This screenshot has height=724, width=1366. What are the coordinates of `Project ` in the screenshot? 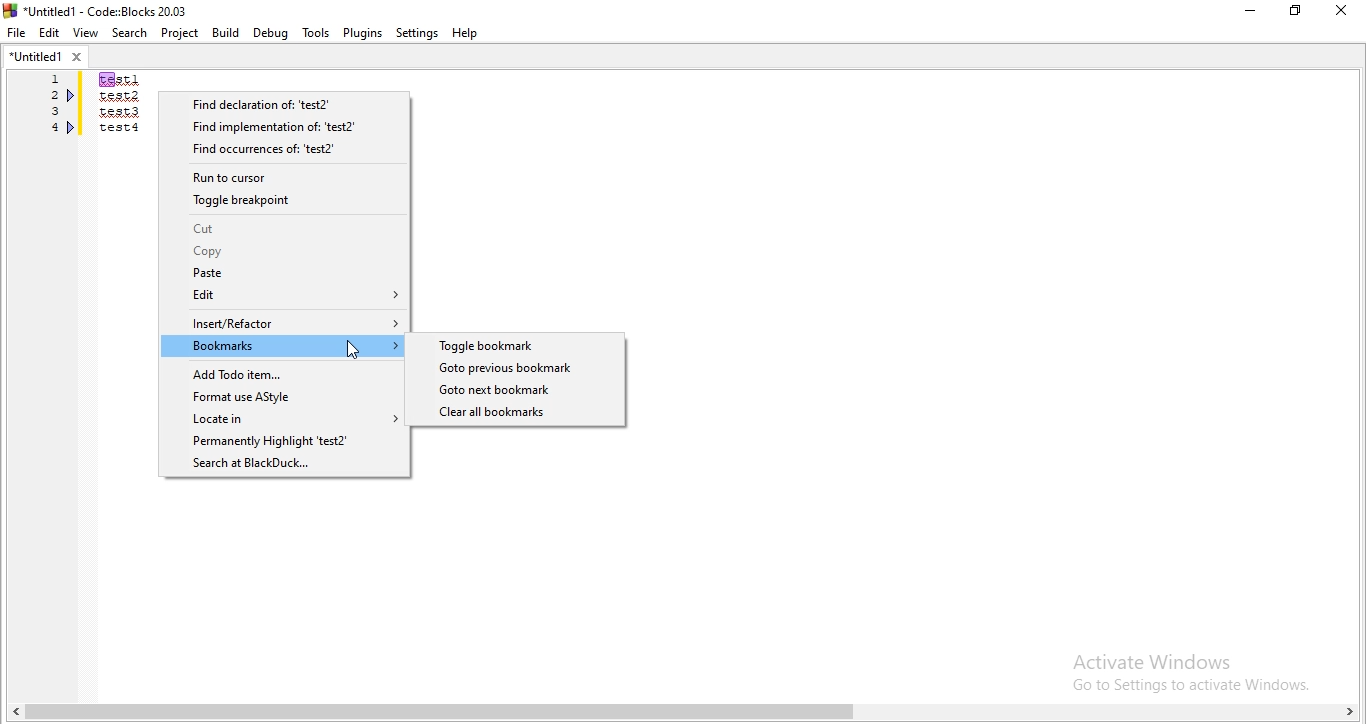 It's located at (179, 33).